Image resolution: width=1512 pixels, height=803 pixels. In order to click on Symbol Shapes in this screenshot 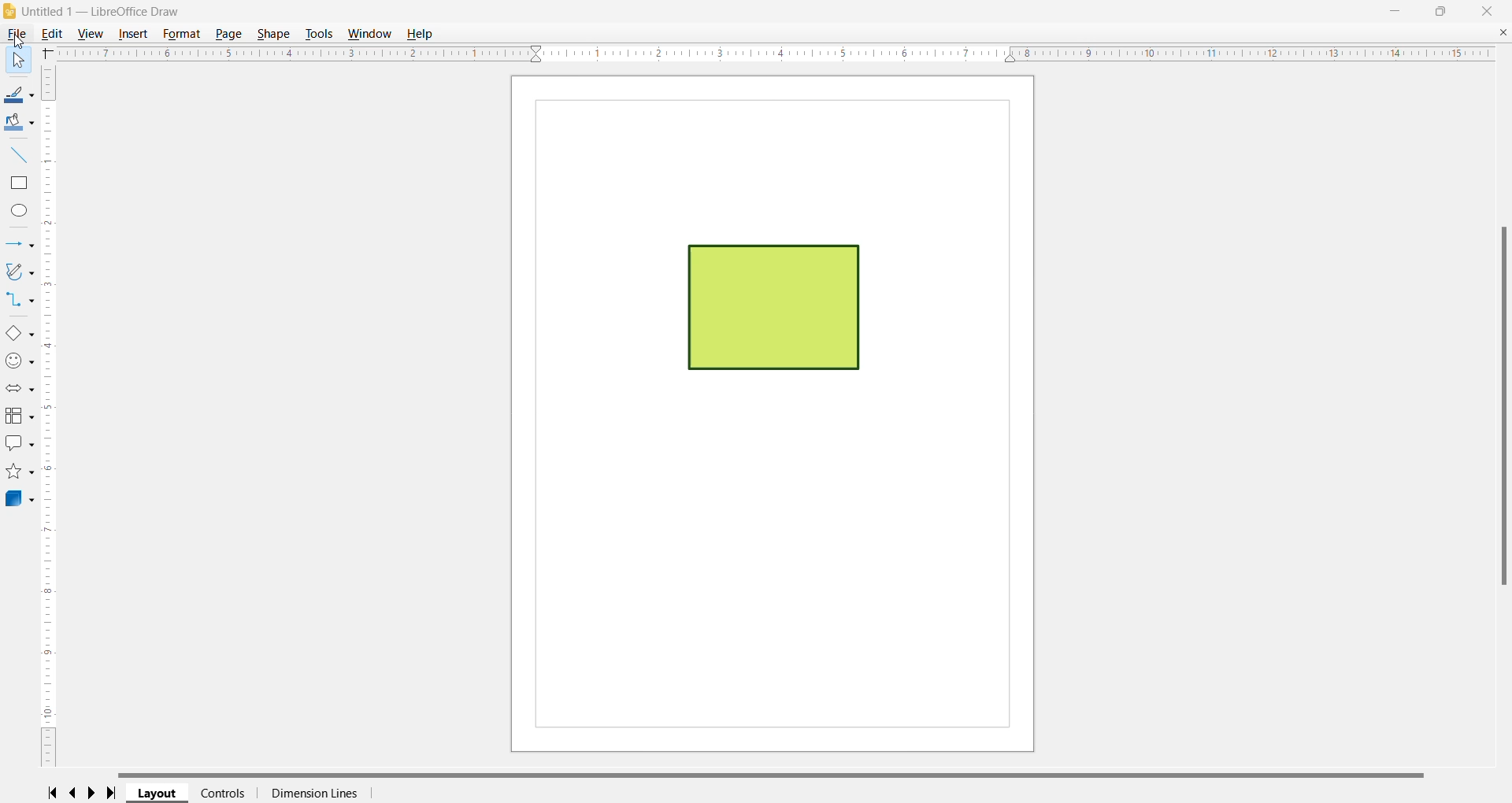, I will do `click(20, 362)`.